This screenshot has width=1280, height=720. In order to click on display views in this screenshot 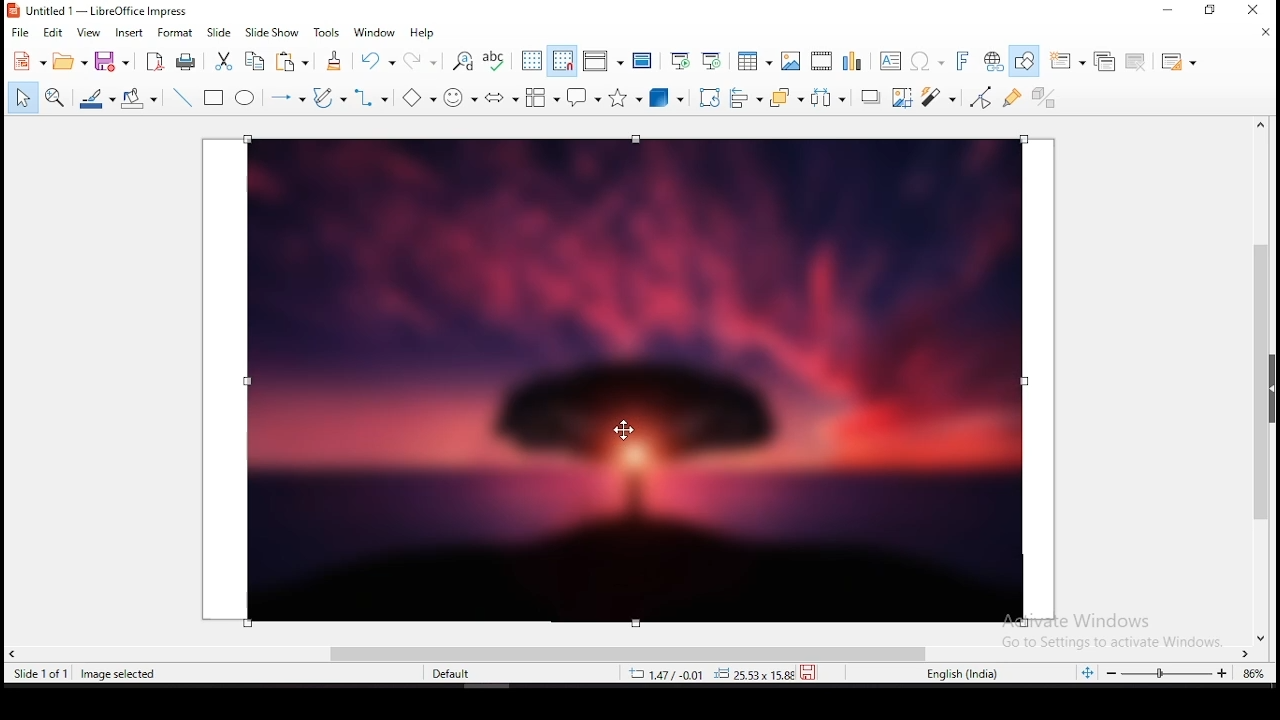, I will do `click(604, 62)`.